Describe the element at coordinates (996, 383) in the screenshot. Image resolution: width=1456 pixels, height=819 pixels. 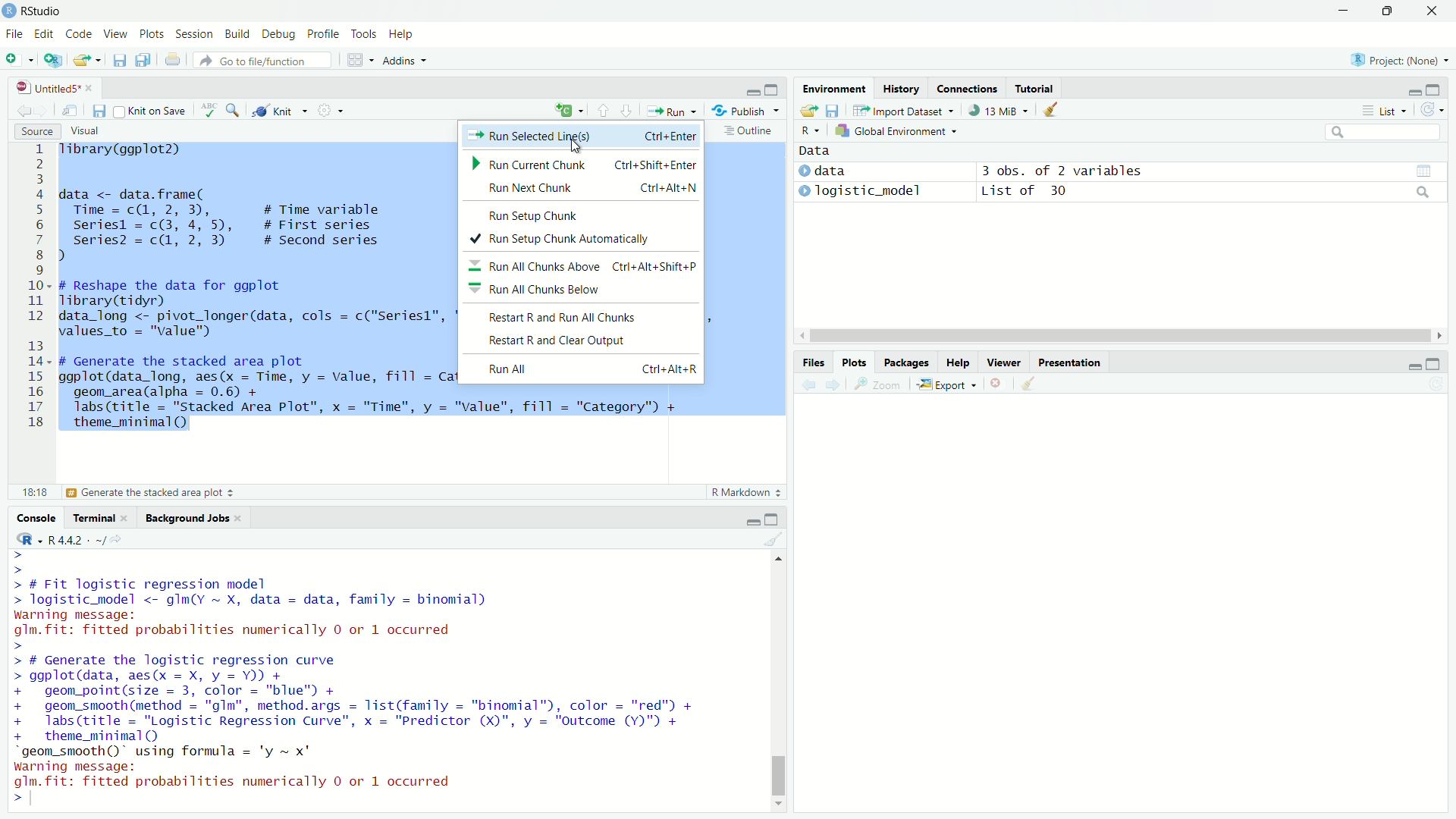
I see `close` at that location.